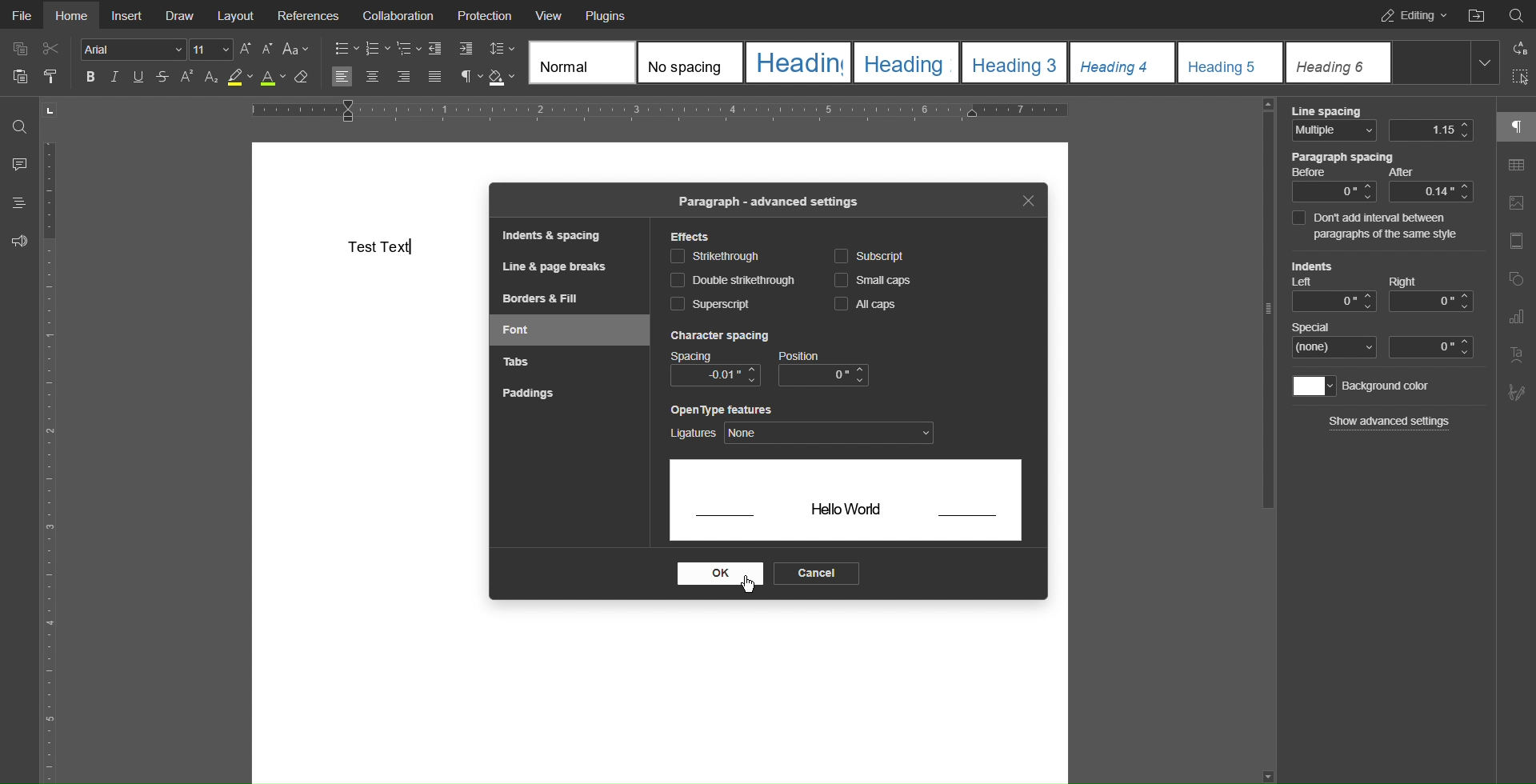 Image resolution: width=1536 pixels, height=784 pixels. I want to click on Text Cases, so click(294, 49).